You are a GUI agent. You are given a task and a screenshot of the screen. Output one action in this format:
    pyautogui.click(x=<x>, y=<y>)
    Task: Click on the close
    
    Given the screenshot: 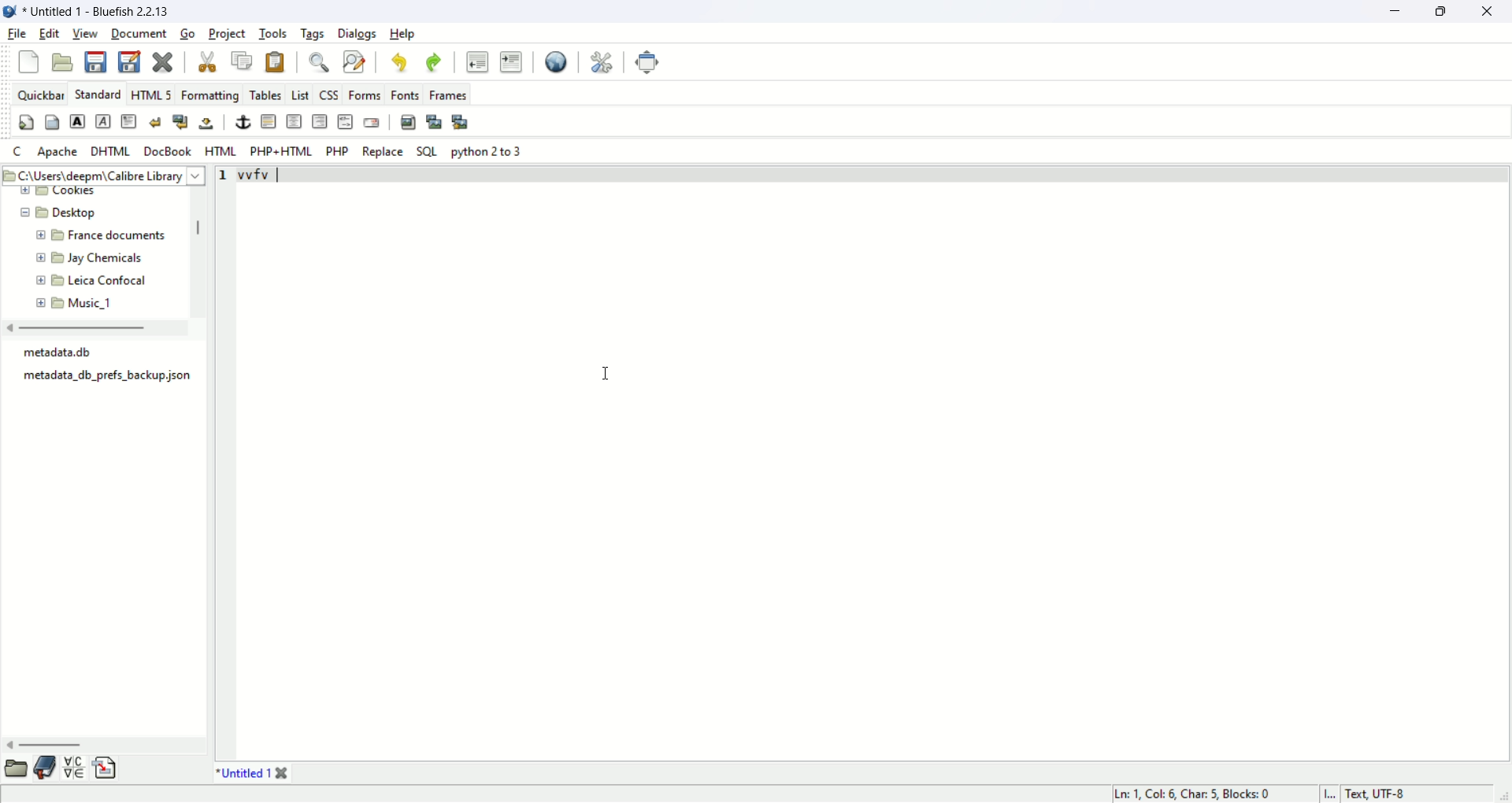 What is the action you would take?
    pyautogui.click(x=163, y=61)
    